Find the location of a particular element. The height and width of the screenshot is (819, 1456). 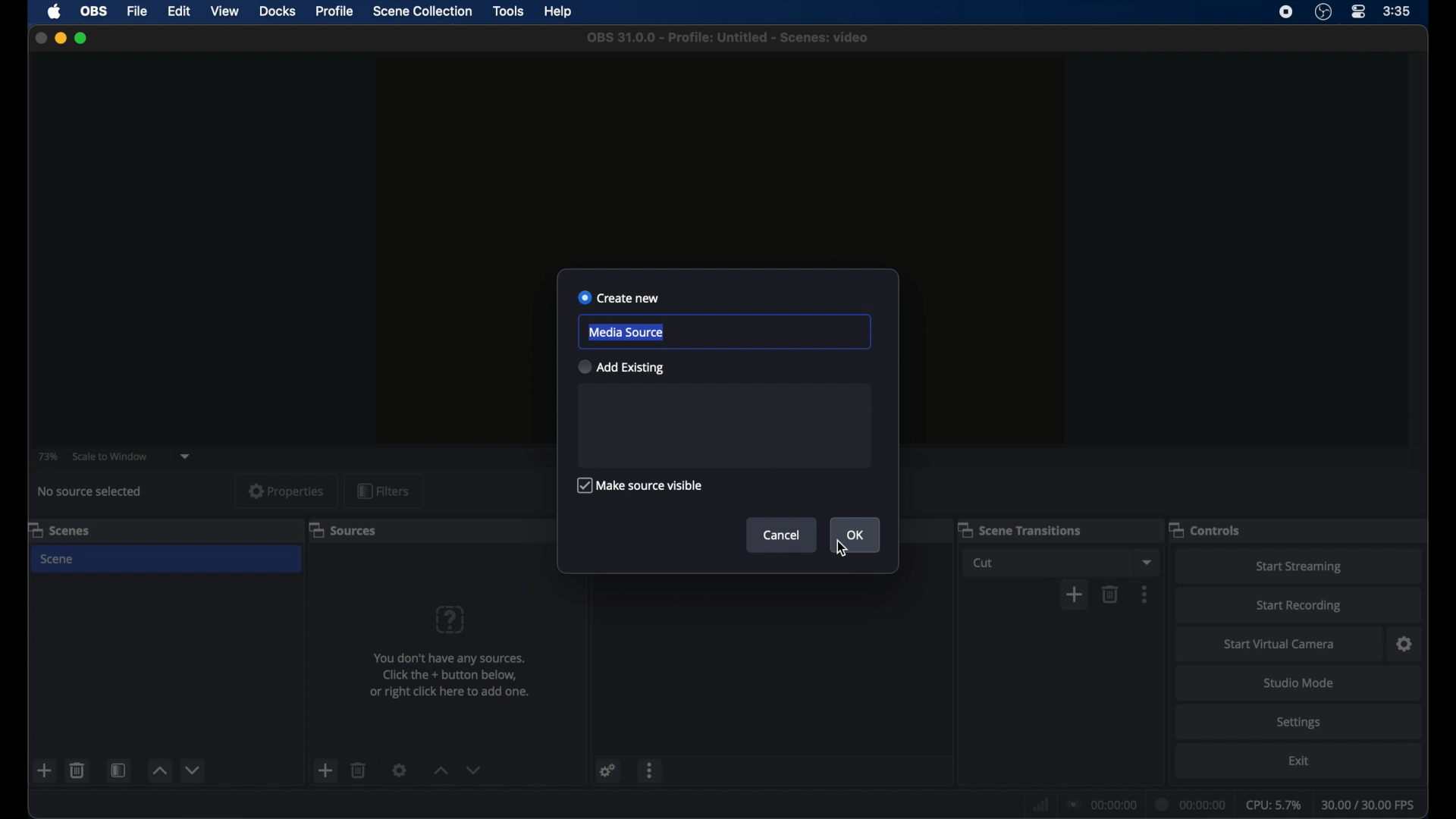

close is located at coordinates (40, 38).